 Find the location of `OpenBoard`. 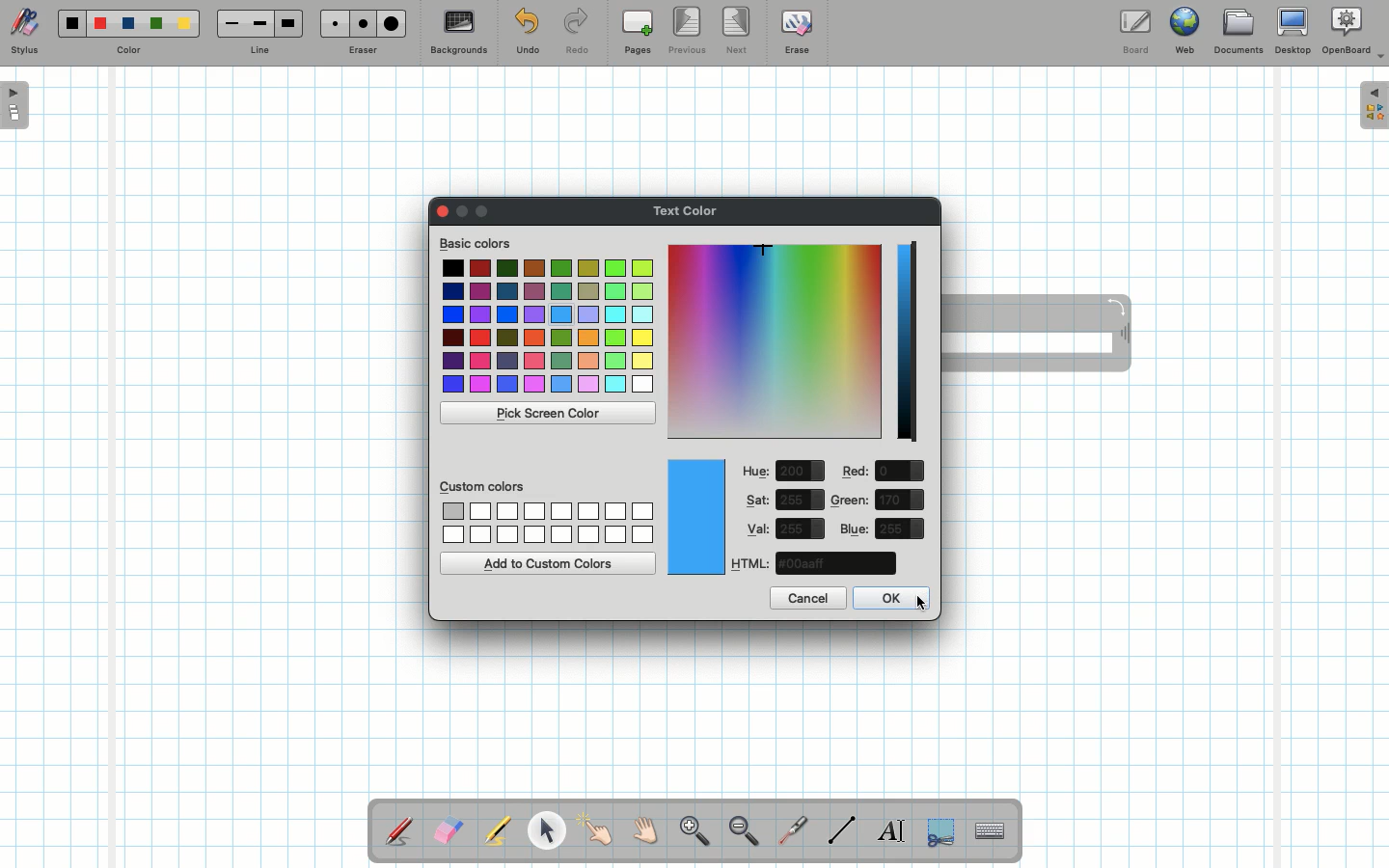

OpenBoard is located at coordinates (1353, 31).